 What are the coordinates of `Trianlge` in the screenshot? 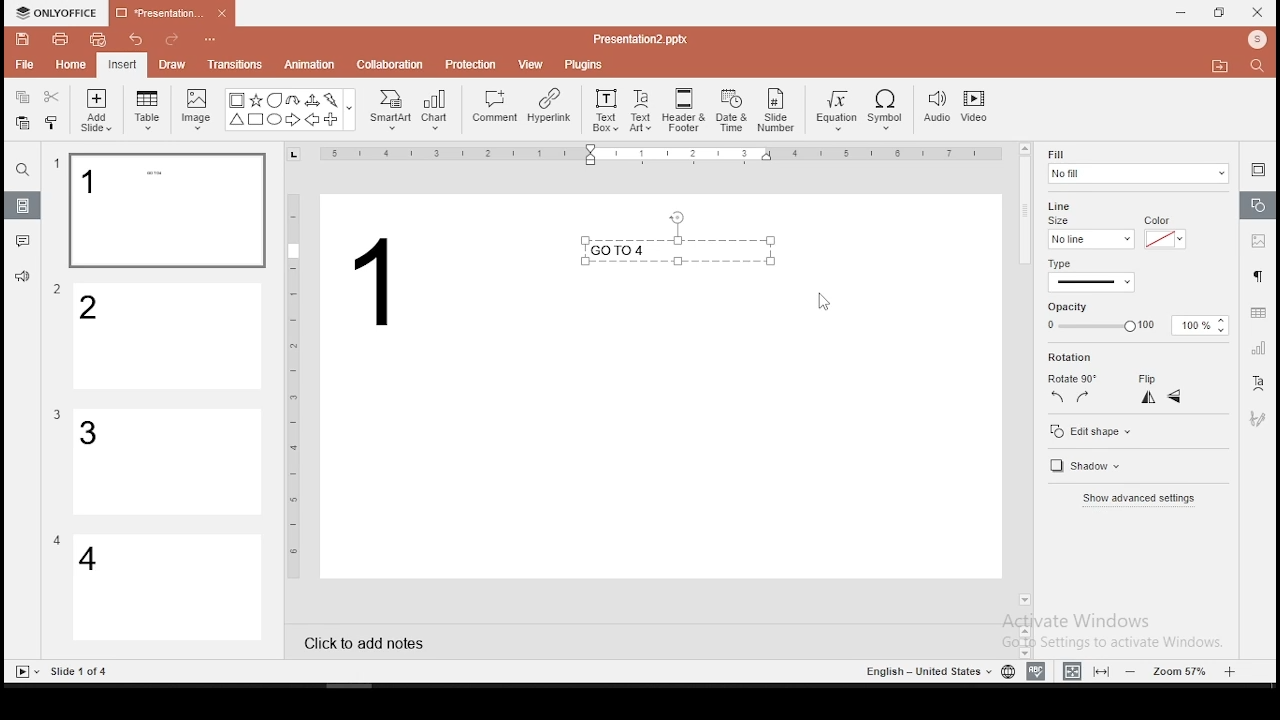 It's located at (236, 120).